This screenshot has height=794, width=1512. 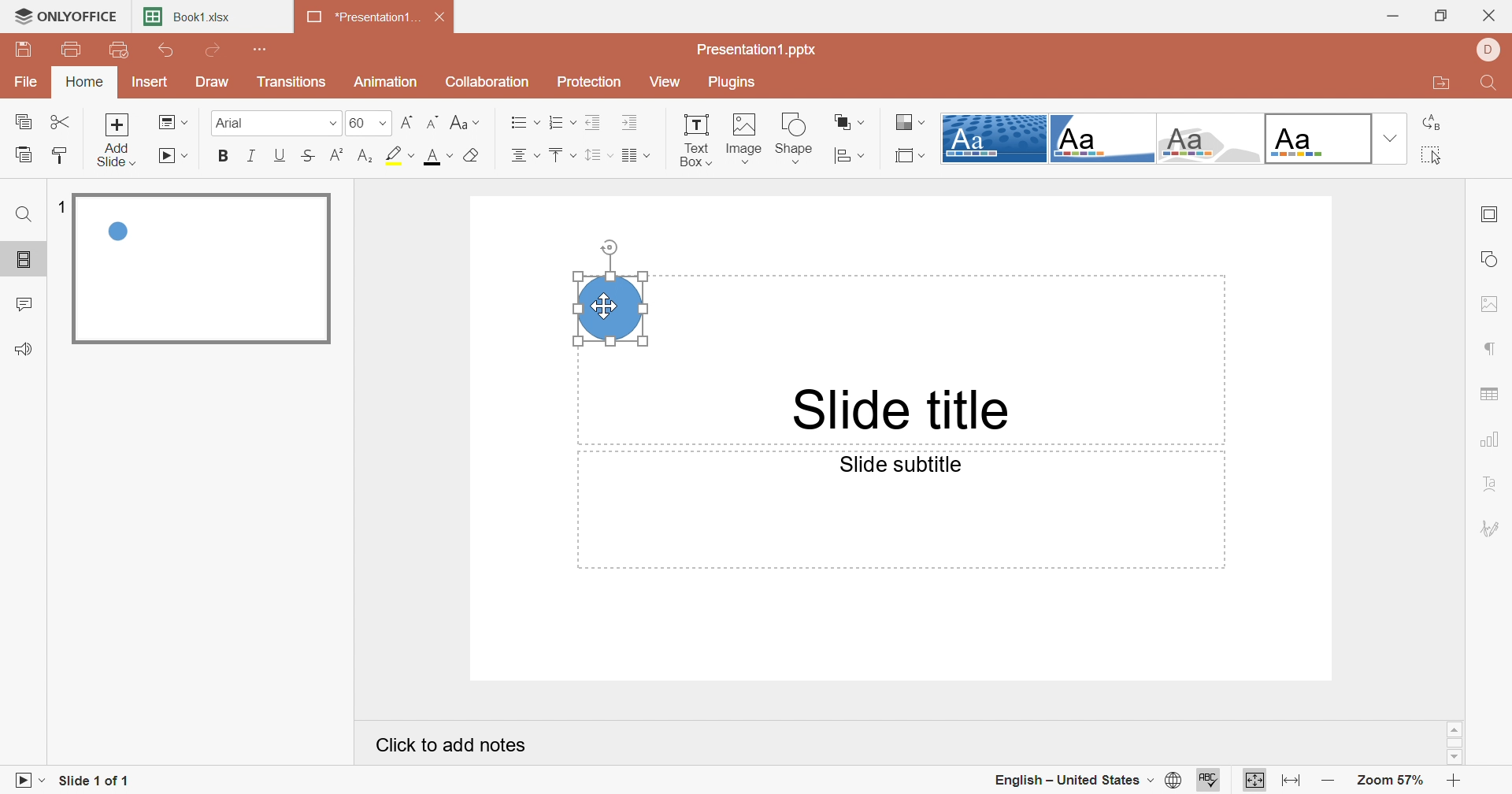 What do you see at coordinates (117, 139) in the screenshot?
I see `Add slide` at bounding box center [117, 139].